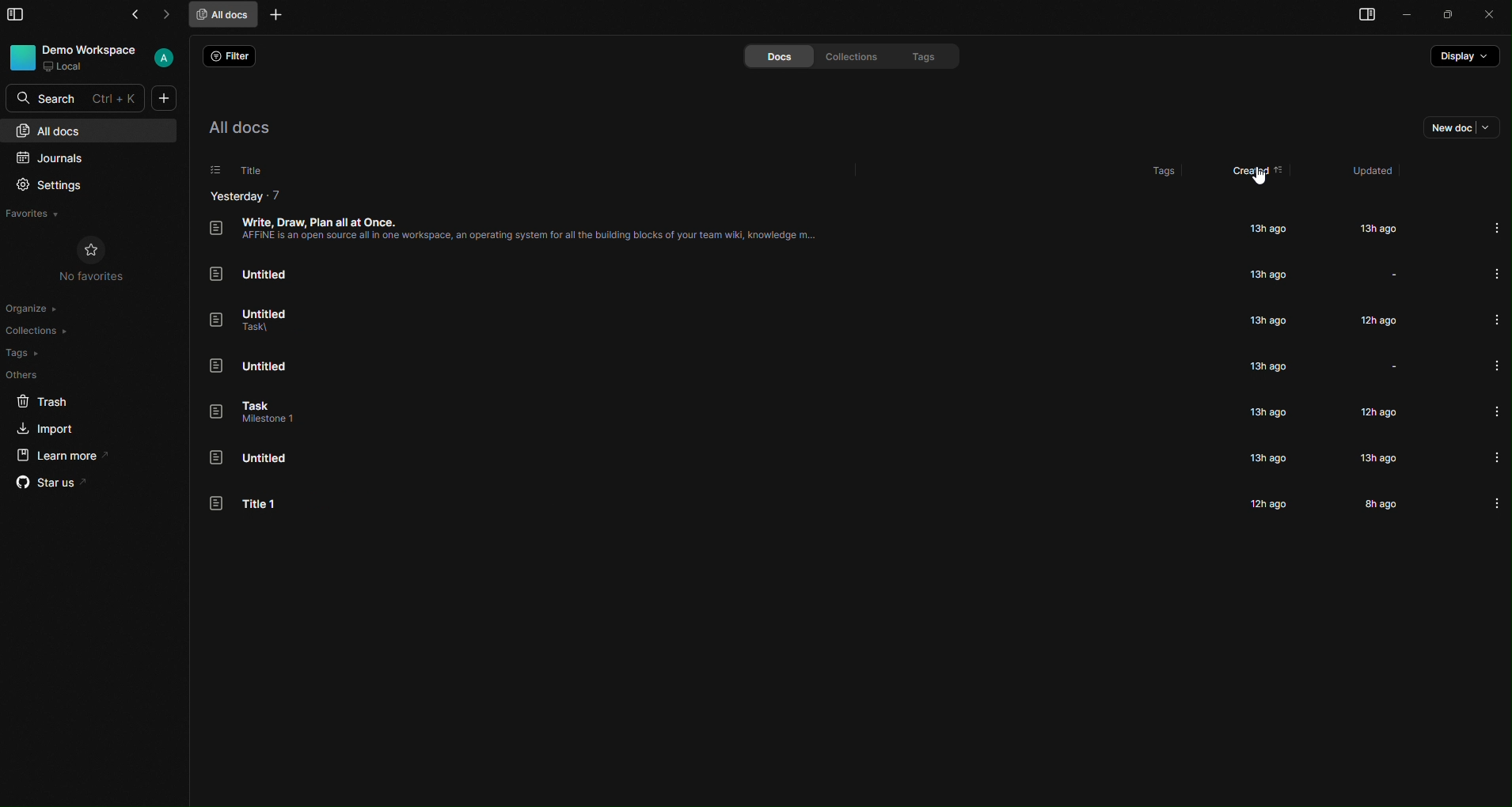  I want to click on minimize, so click(1405, 15).